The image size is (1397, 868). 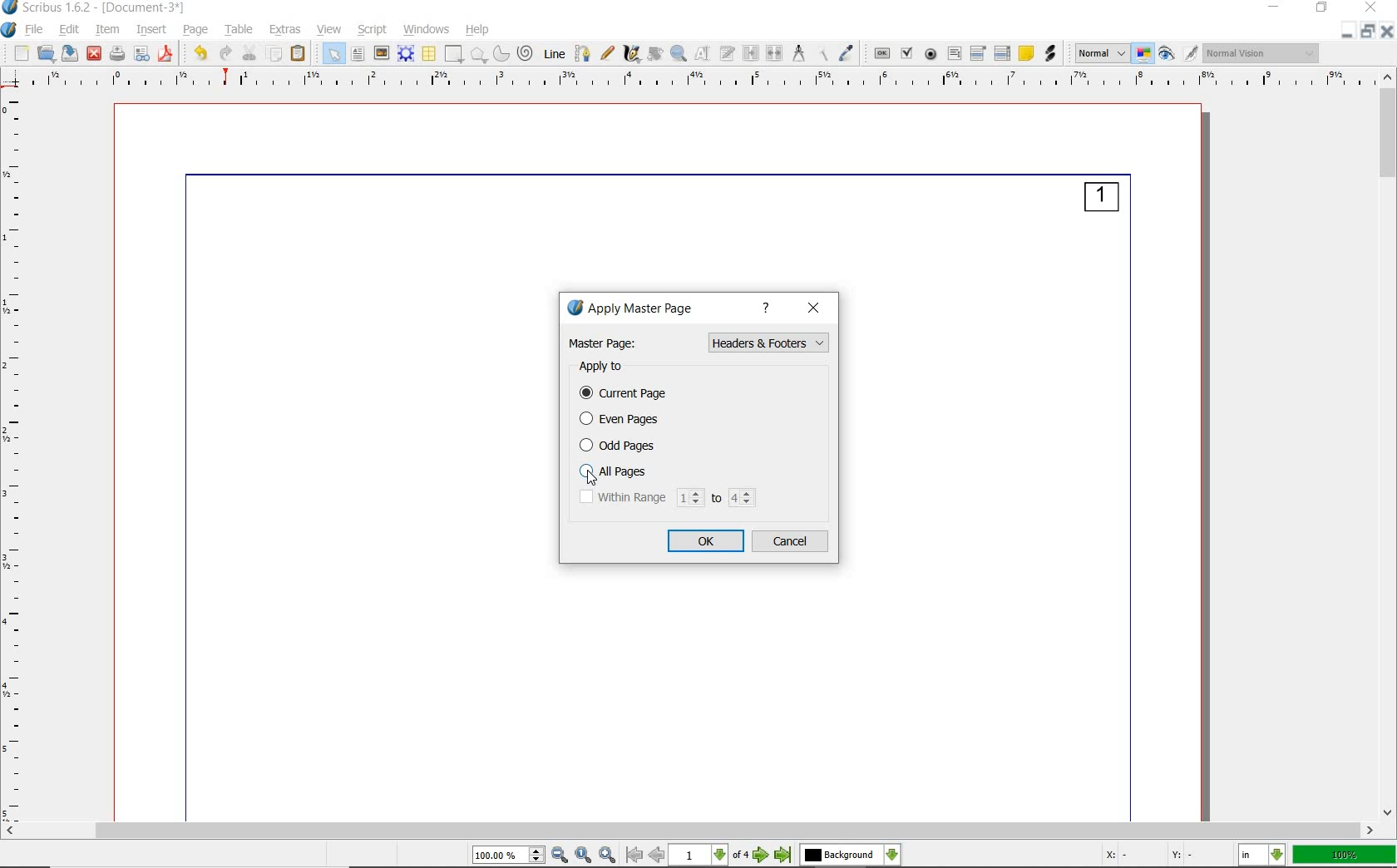 I want to click on new, so click(x=21, y=52).